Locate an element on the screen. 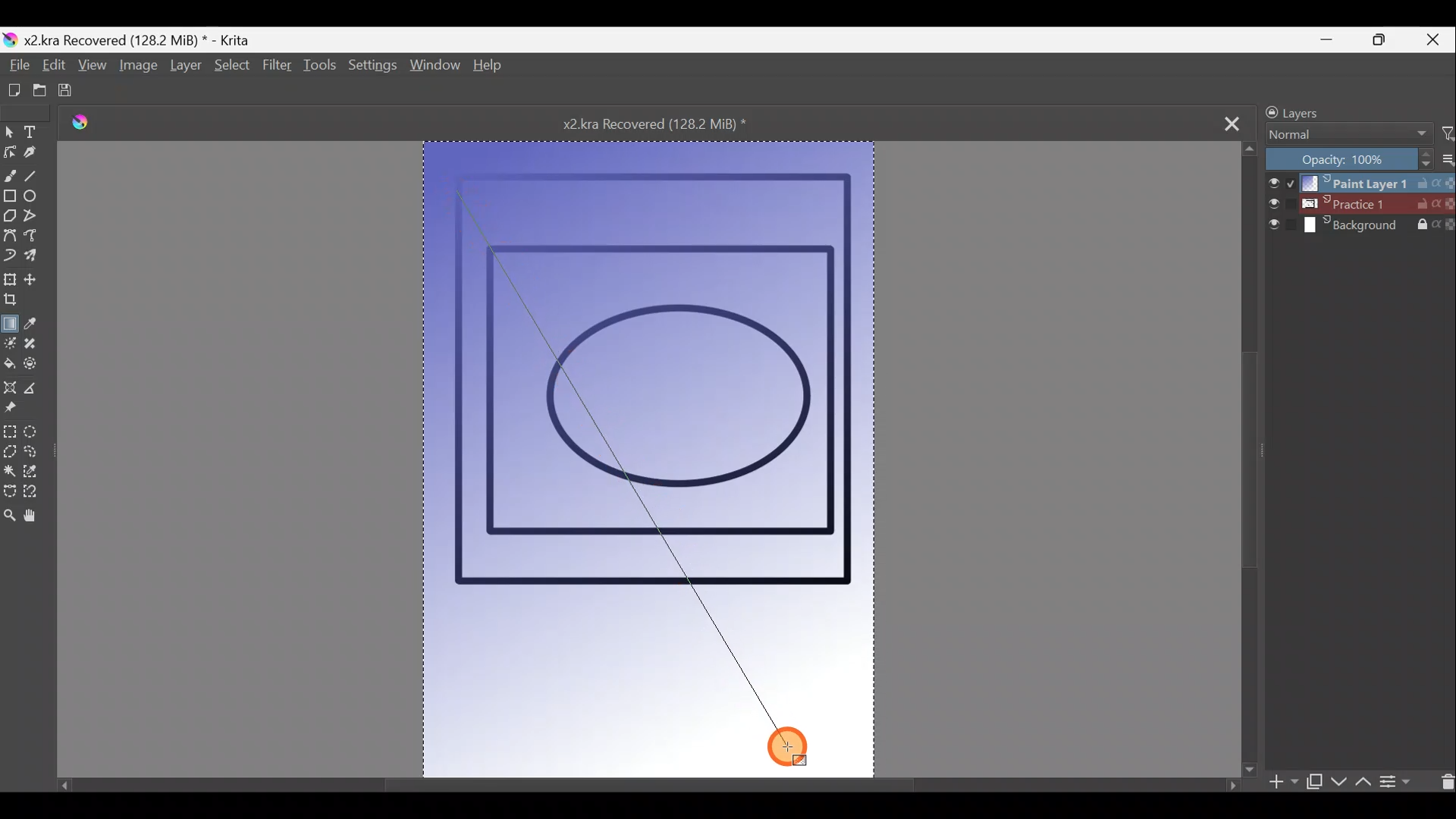 The width and height of the screenshot is (1456, 819). Calligraphy is located at coordinates (30, 157).